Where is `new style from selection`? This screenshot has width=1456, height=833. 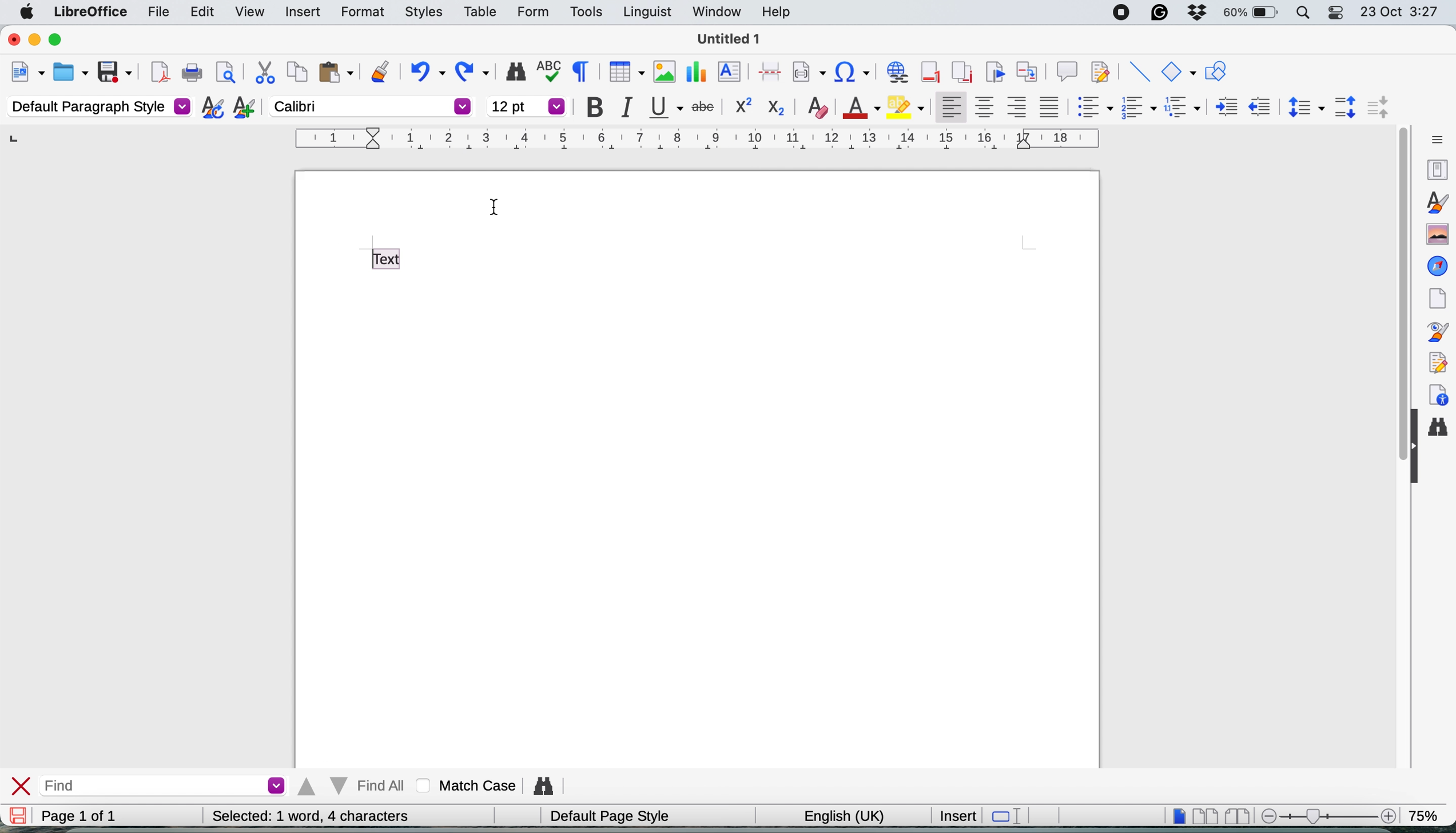 new style from selection is located at coordinates (242, 109).